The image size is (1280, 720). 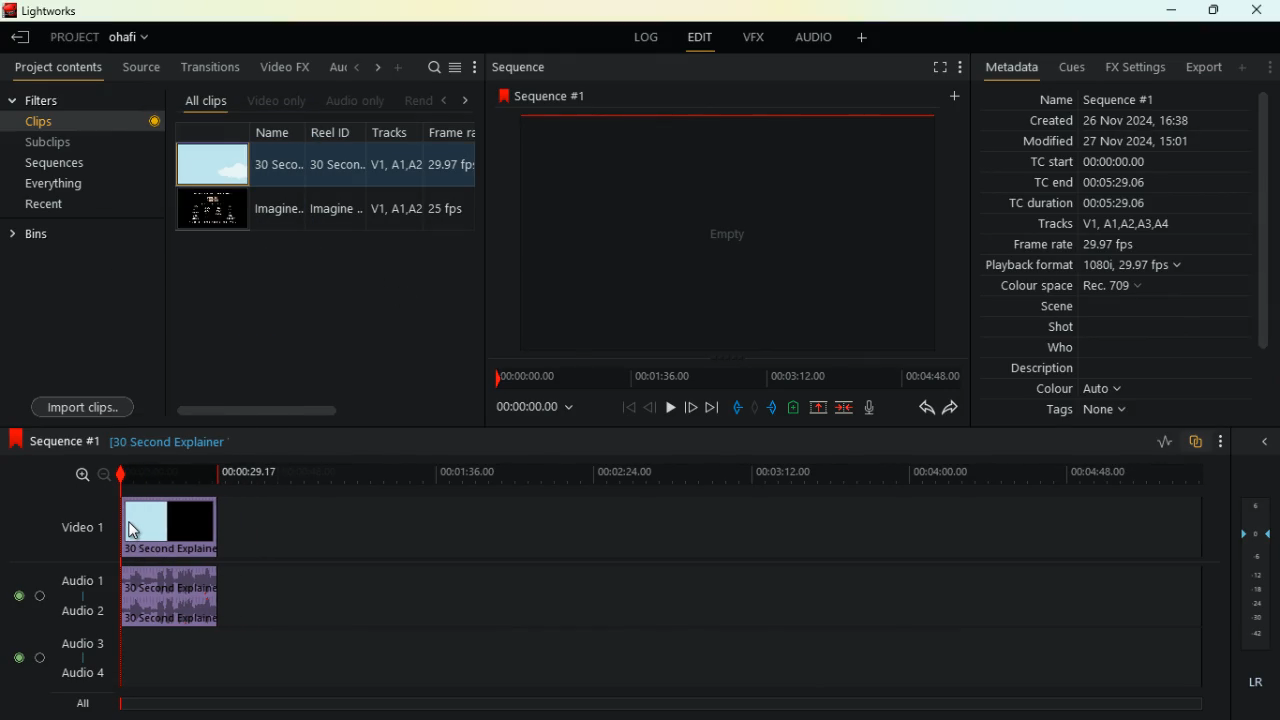 What do you see at coordinates (334, 68) in the screenshot?
I see `au` at bounding box center [334, 68].